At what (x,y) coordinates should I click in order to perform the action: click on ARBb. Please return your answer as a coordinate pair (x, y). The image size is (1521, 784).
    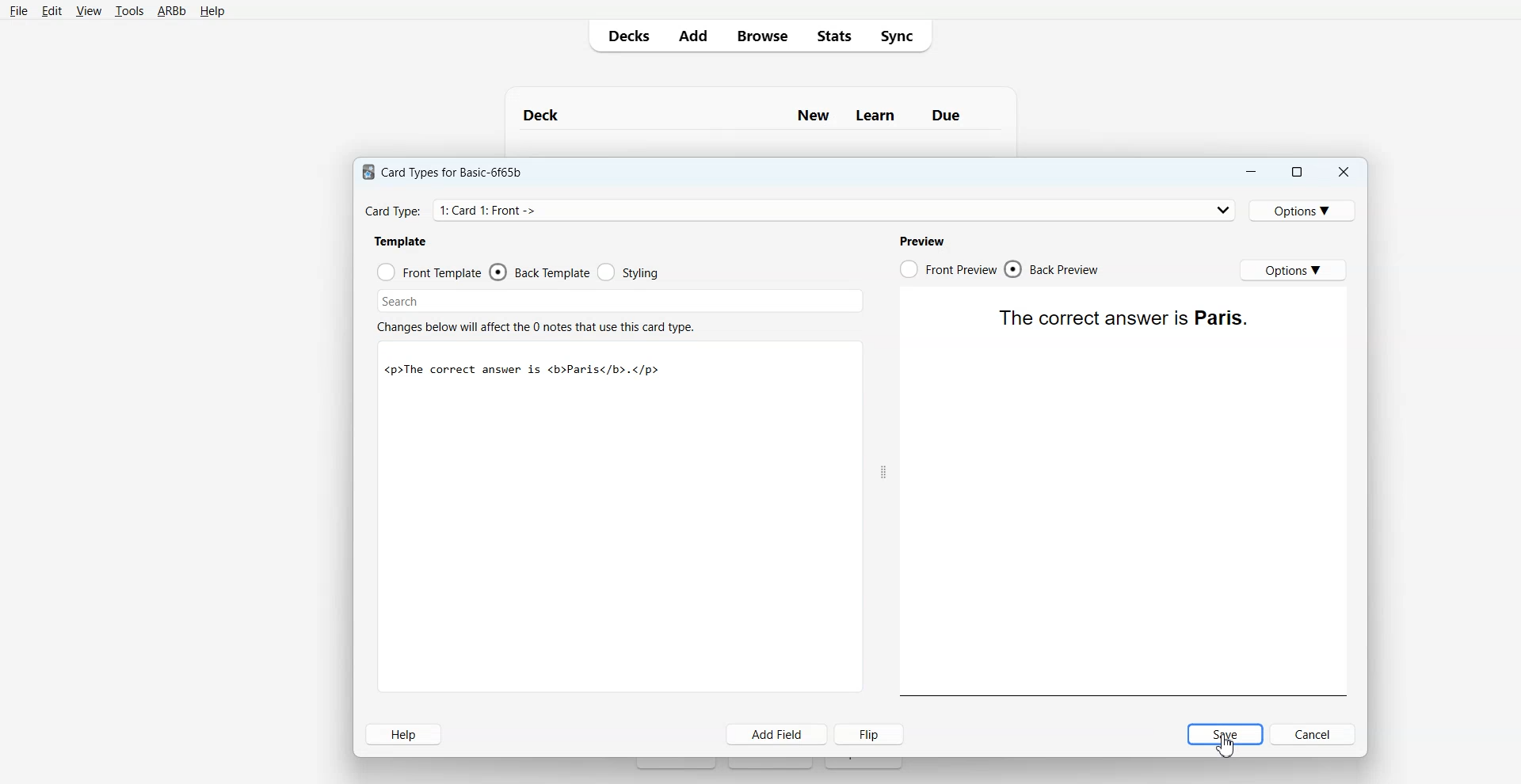
    Looking at the image, I should click on (172, 11).